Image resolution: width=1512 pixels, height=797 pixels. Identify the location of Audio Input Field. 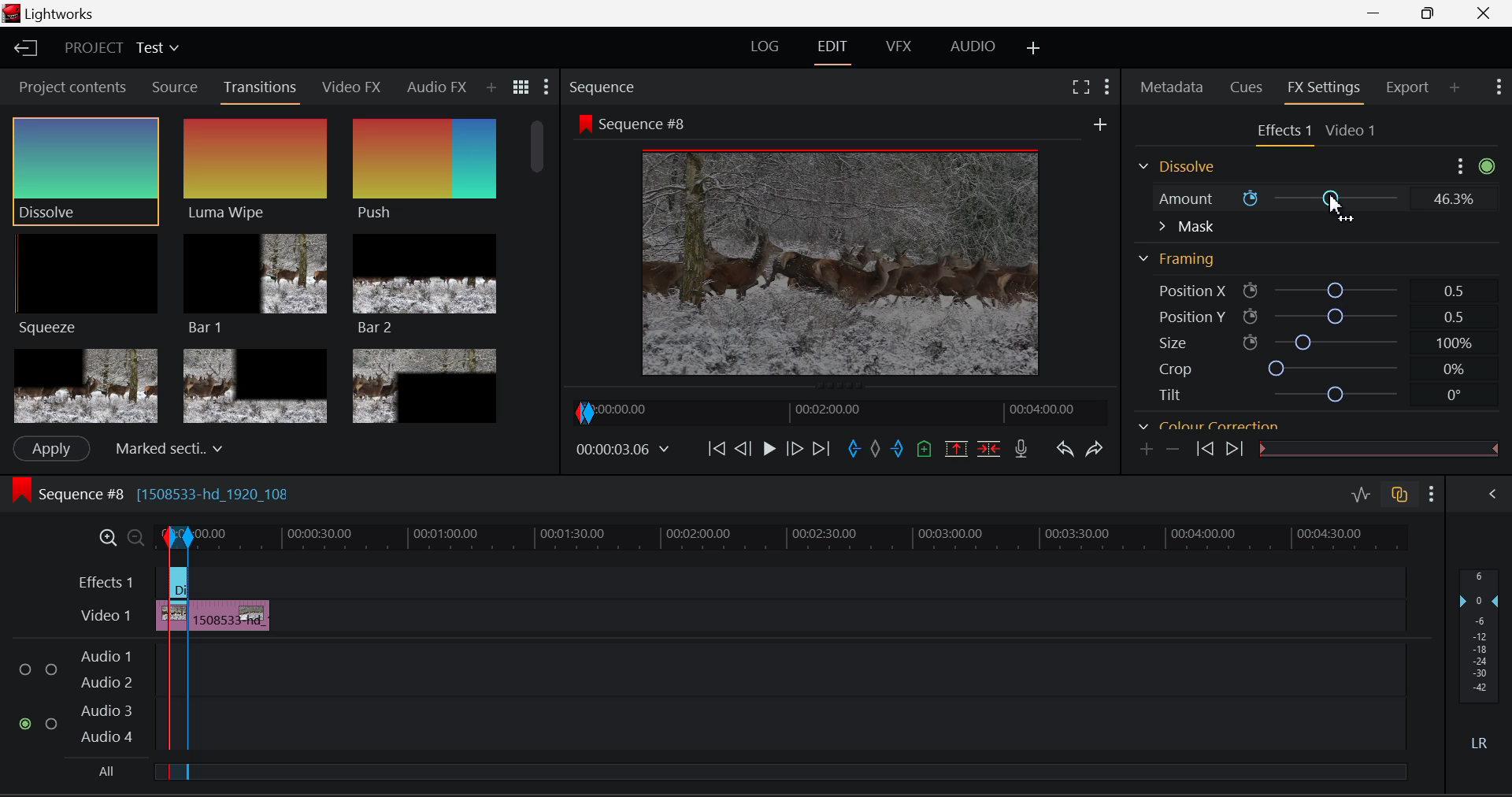
(798, 724).